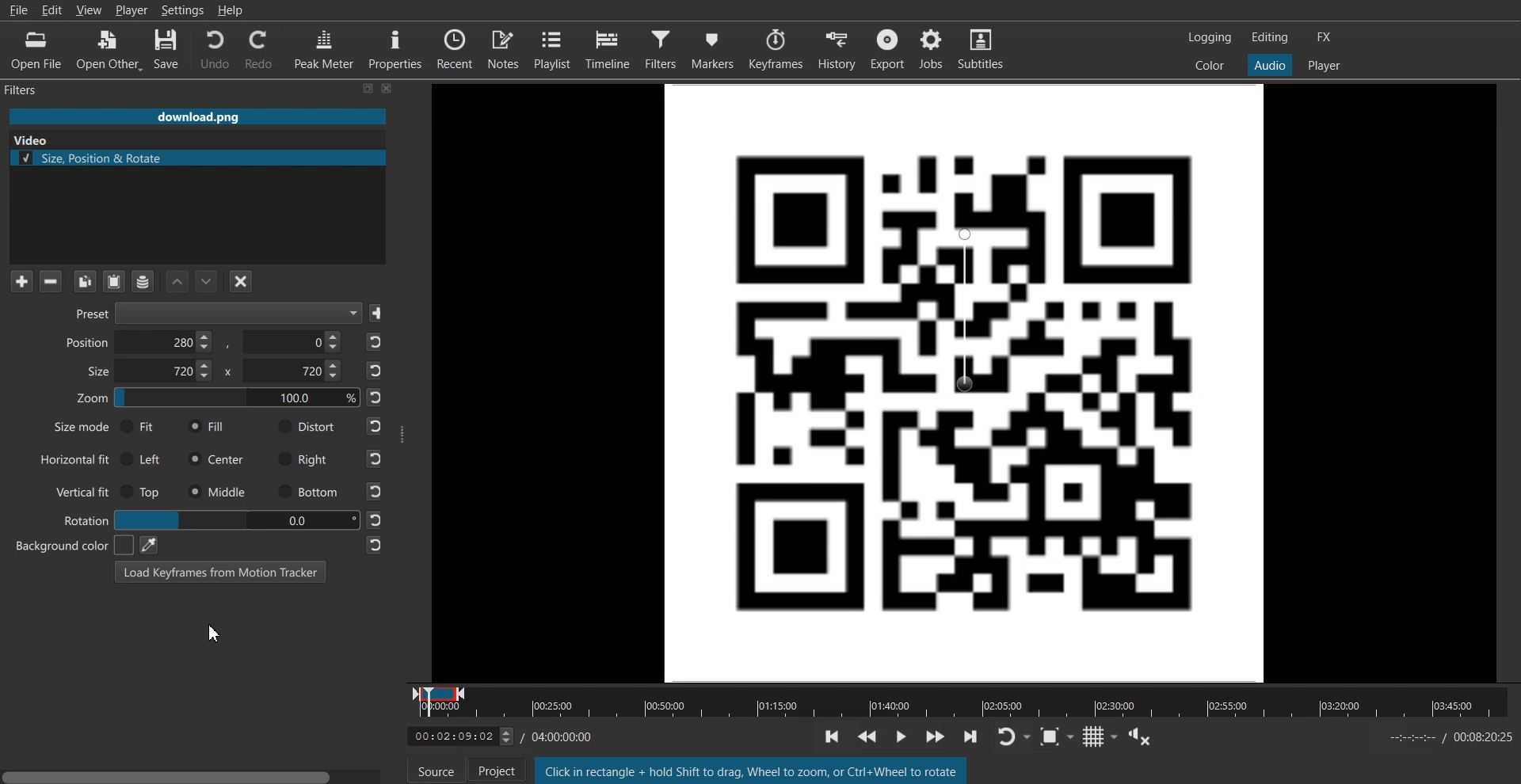 Image resolution: width=1521 pixels, height=784 pixels. What do you see at coordinates (234, 519) in the screenshot?
I see `00` at bounding box center [234, 519].